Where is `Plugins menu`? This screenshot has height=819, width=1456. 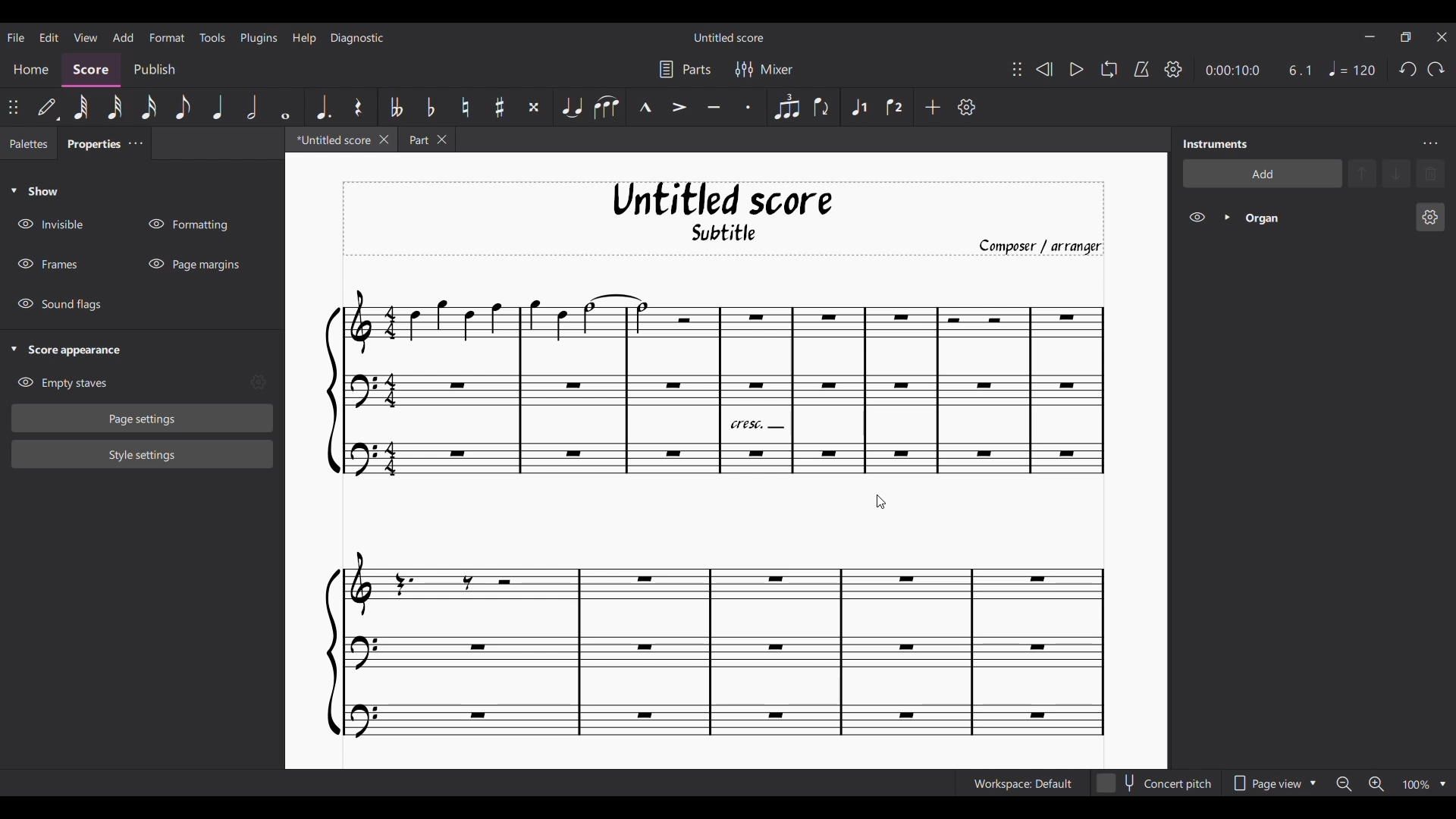 Plugins menu is located at coordinates (259, 38).